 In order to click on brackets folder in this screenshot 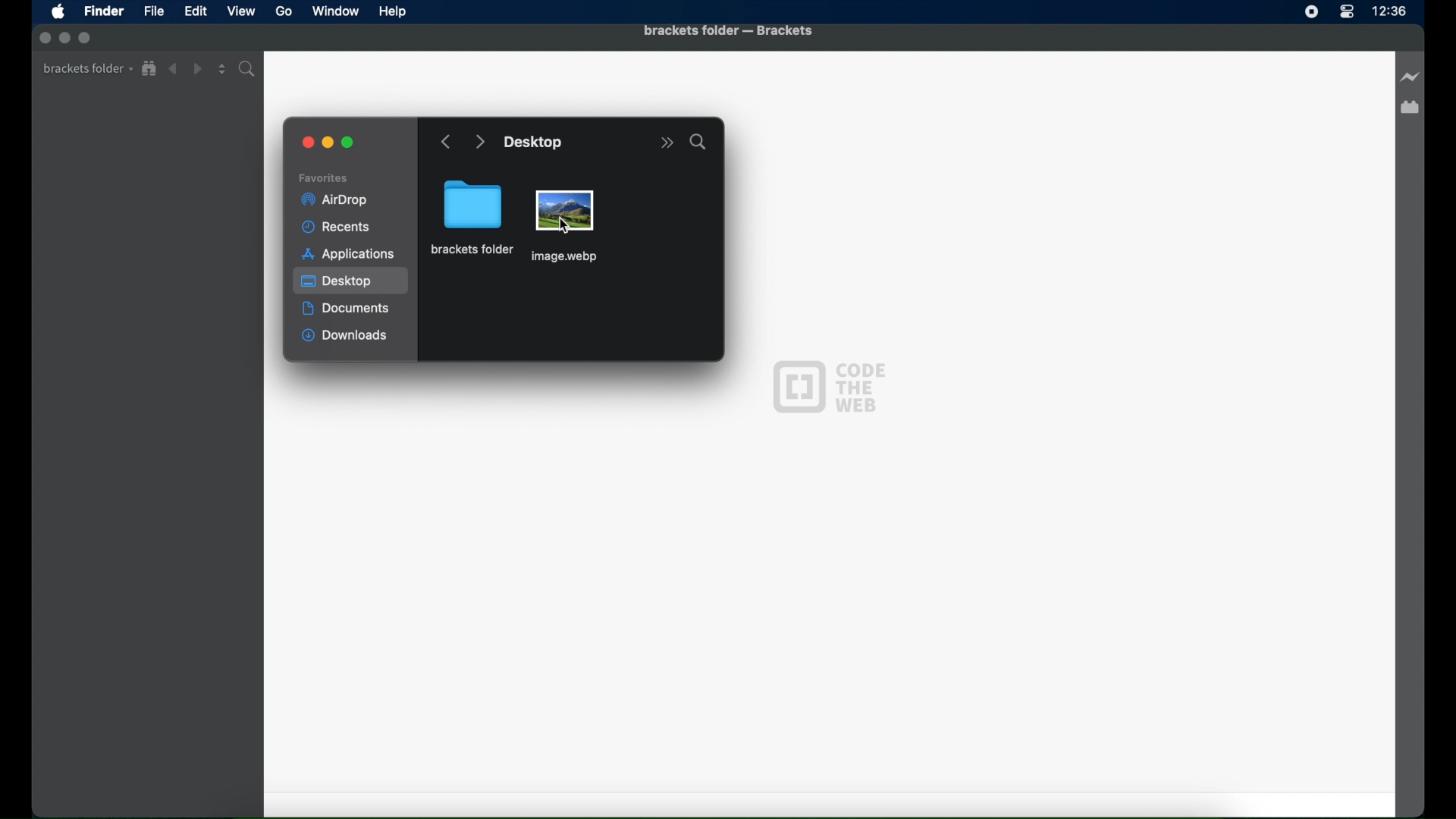, I will do `click(473, 217)`.